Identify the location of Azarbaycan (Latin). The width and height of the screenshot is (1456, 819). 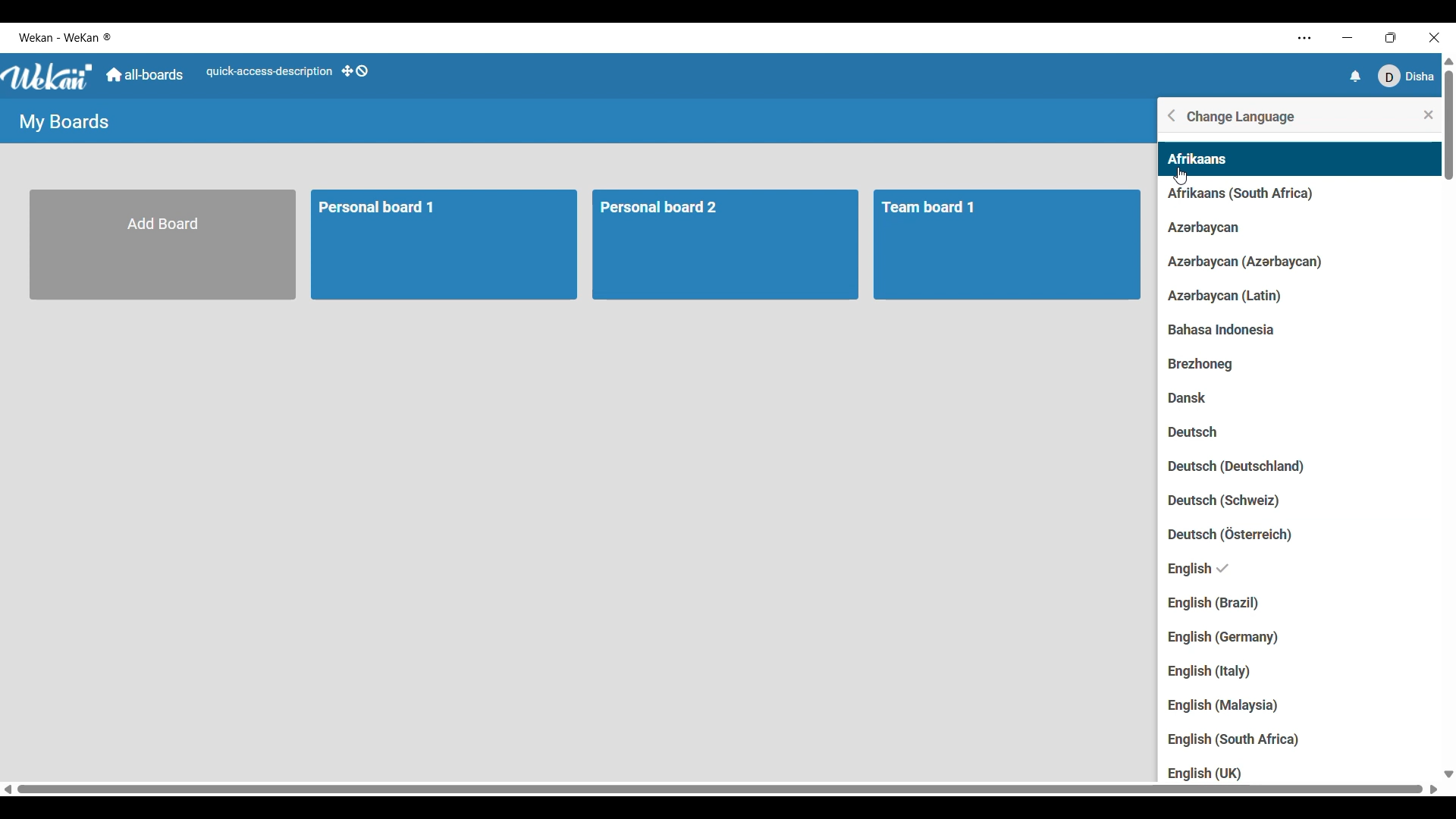
(1227, 298).